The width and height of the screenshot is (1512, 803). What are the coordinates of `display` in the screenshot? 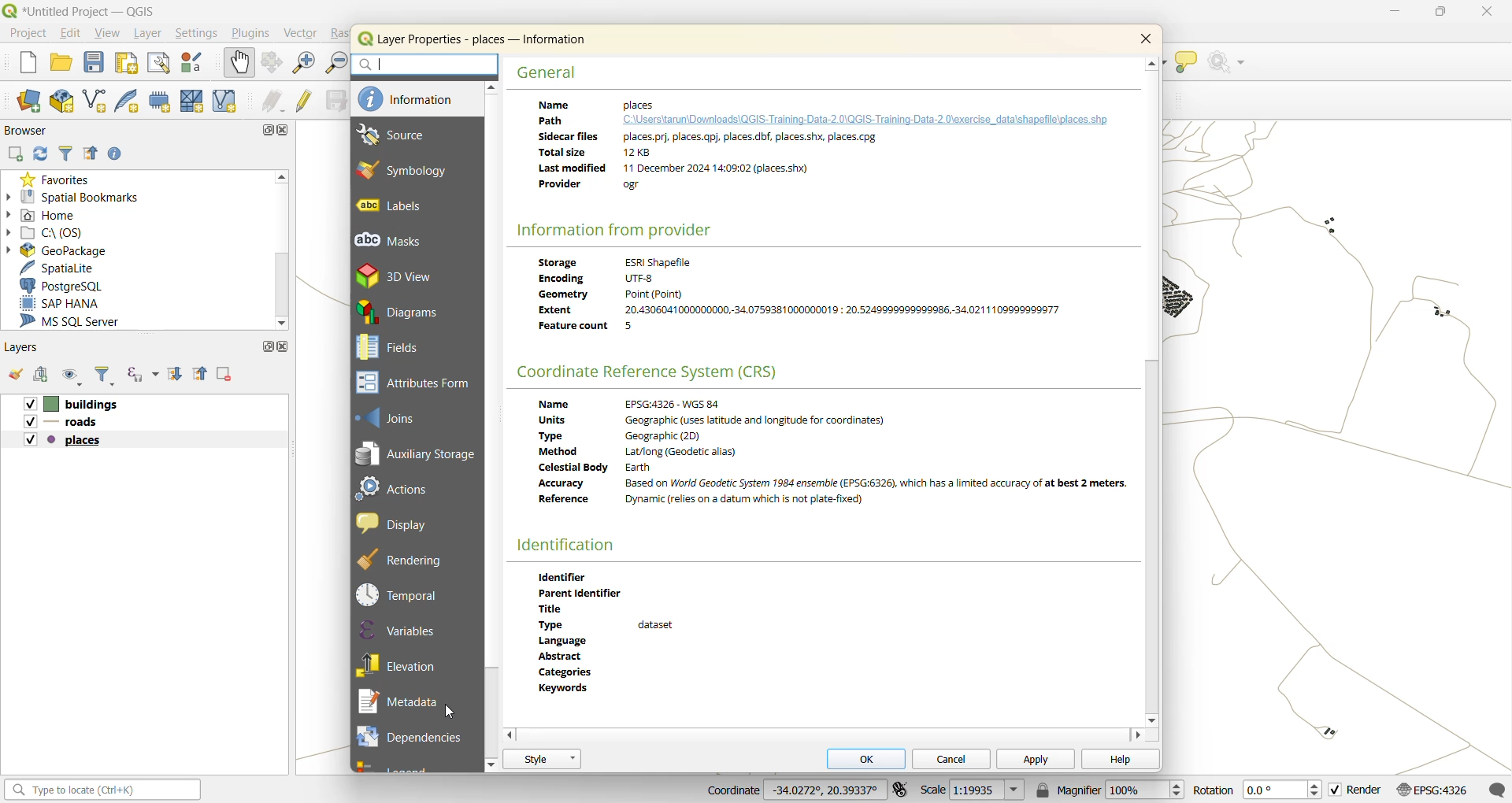 It's located at (391, 524).